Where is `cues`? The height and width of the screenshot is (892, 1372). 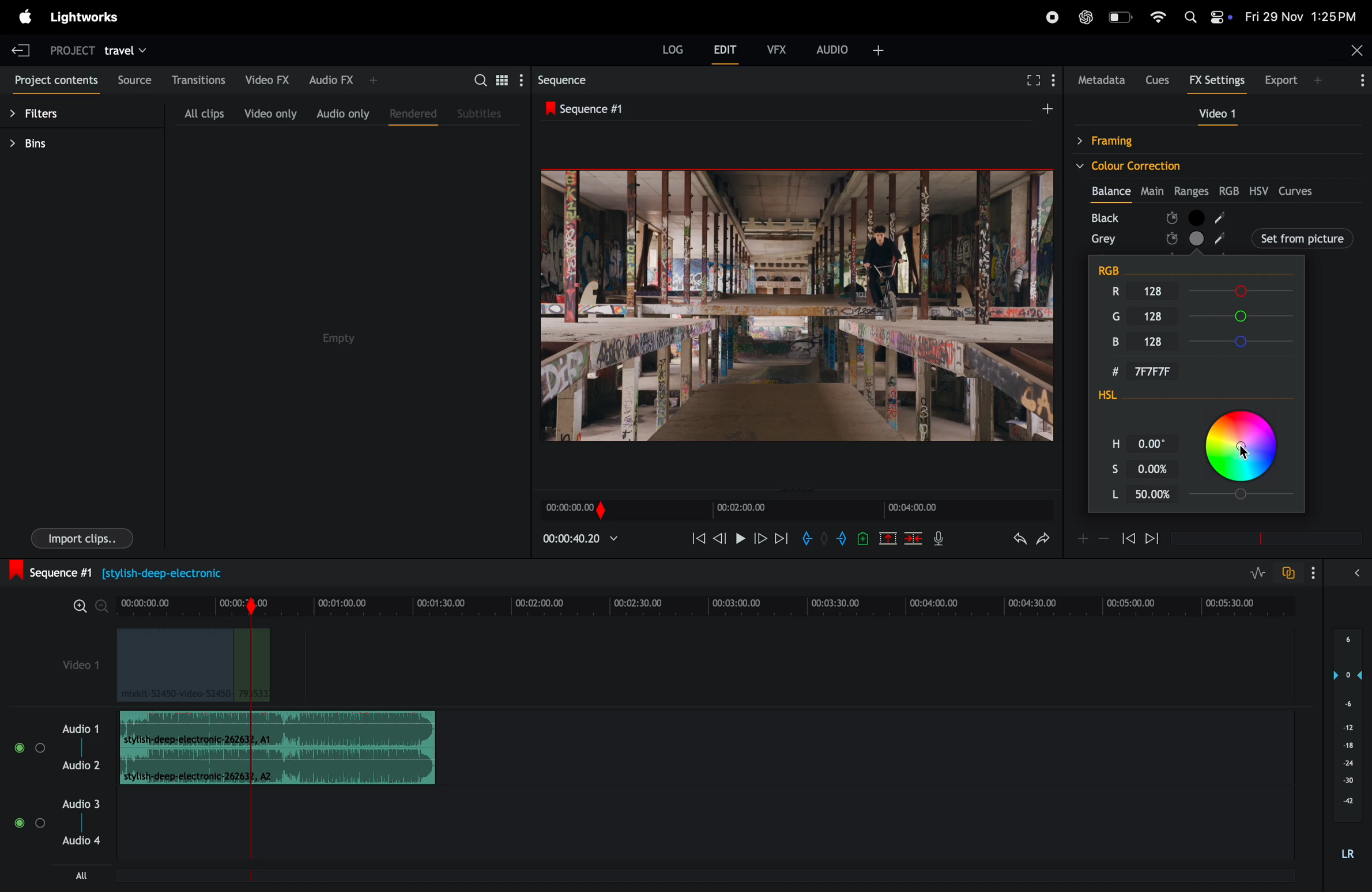 cues is located at coordinates (1157, 80).